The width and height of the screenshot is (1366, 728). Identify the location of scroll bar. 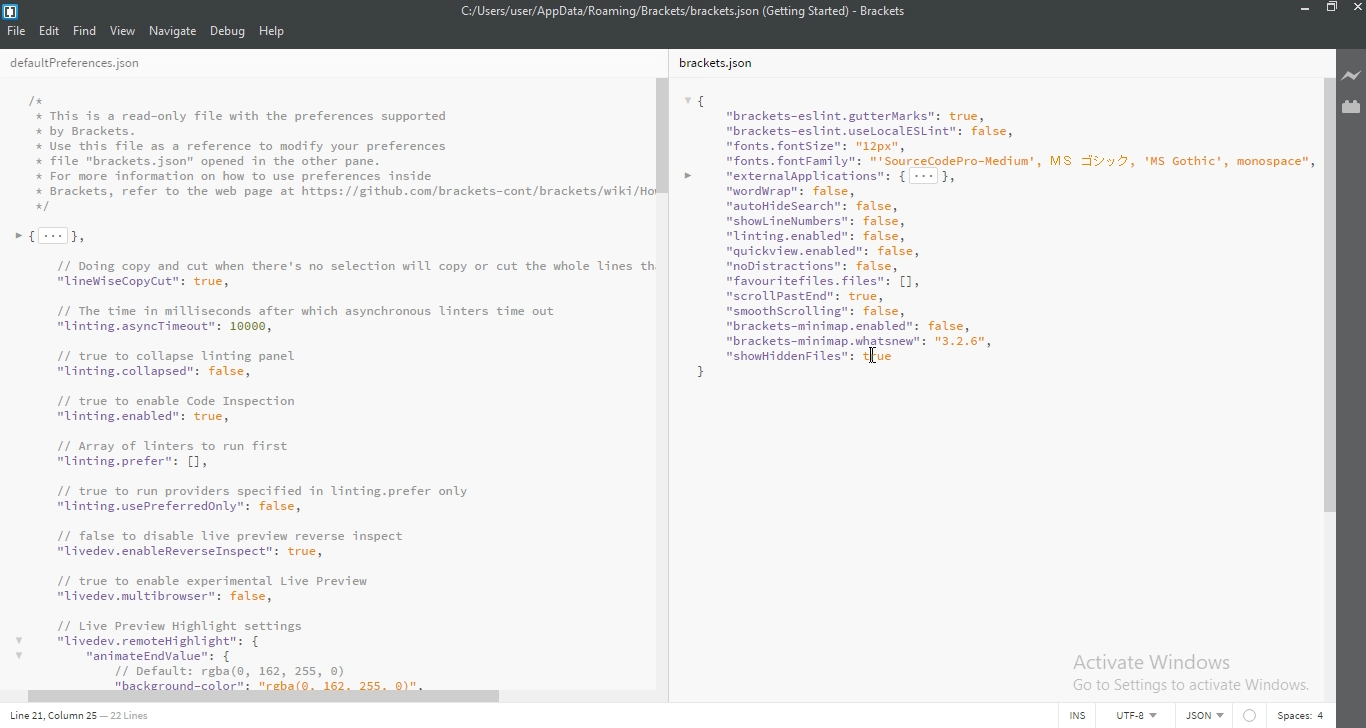
(1324, 294).